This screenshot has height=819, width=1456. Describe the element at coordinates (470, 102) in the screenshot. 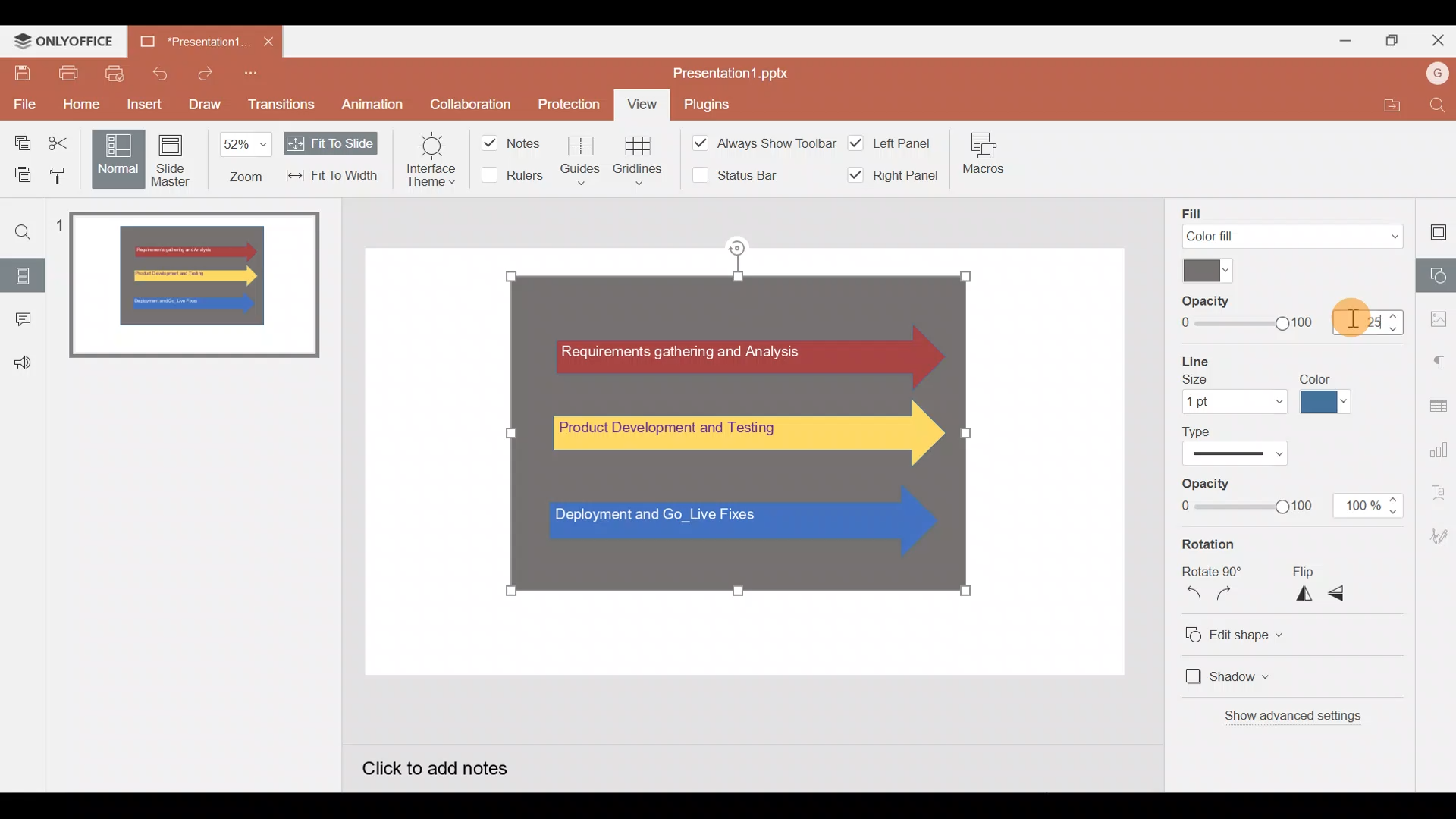

I see `Collaboration` at that location.